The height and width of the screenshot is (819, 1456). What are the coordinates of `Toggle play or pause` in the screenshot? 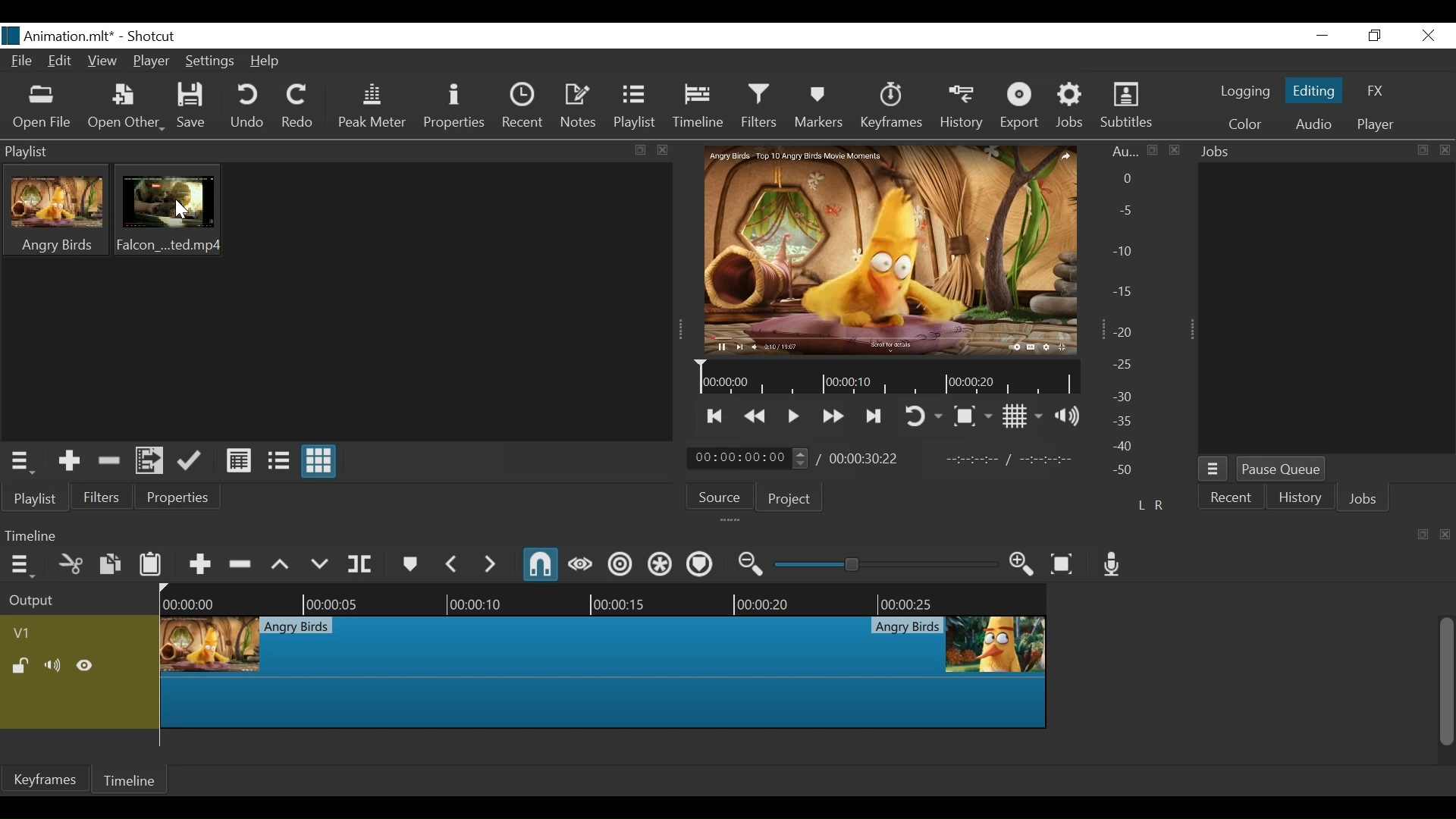 It's located at (794, 416).